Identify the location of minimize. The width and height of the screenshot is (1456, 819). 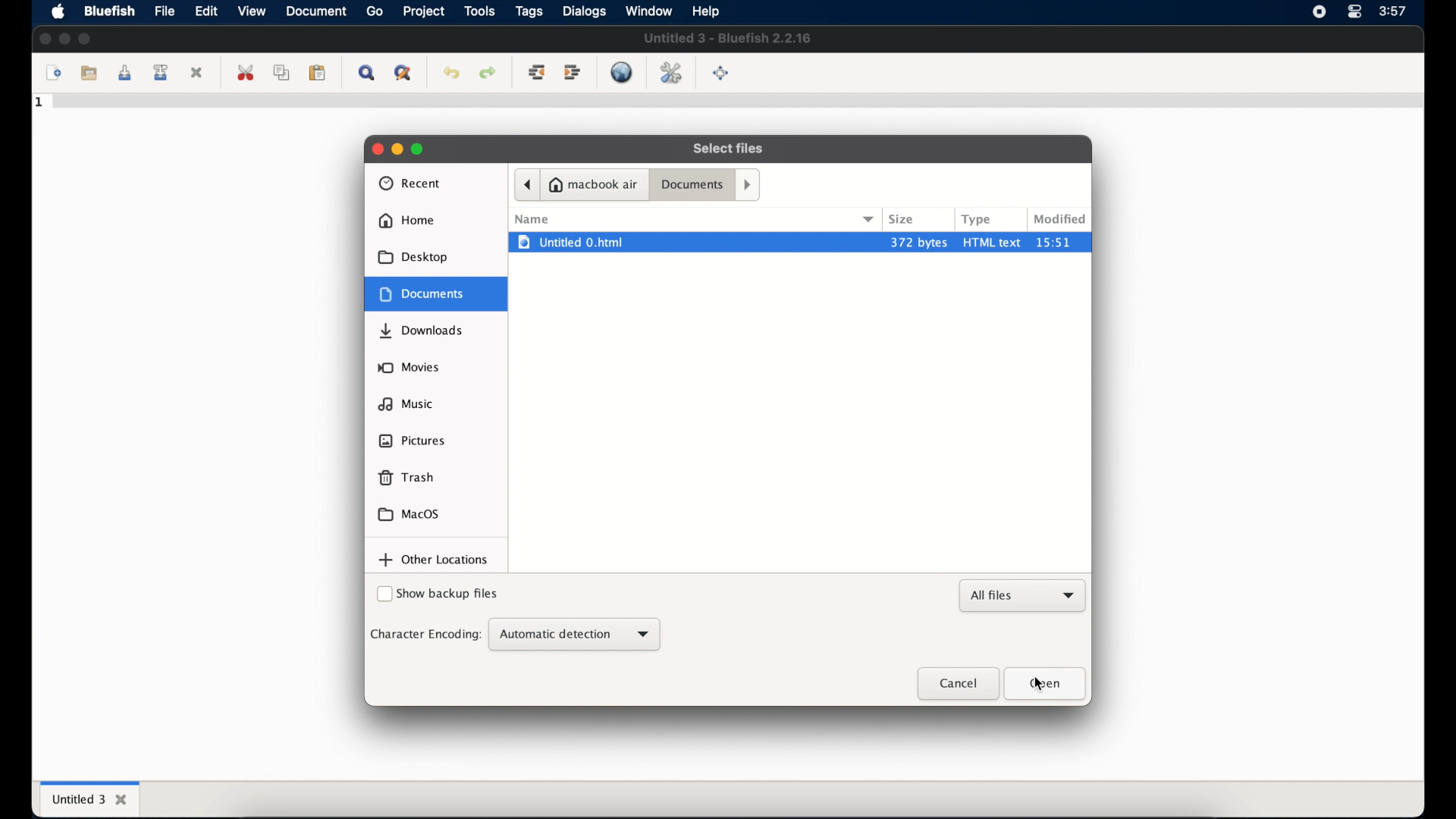
(64, 38).